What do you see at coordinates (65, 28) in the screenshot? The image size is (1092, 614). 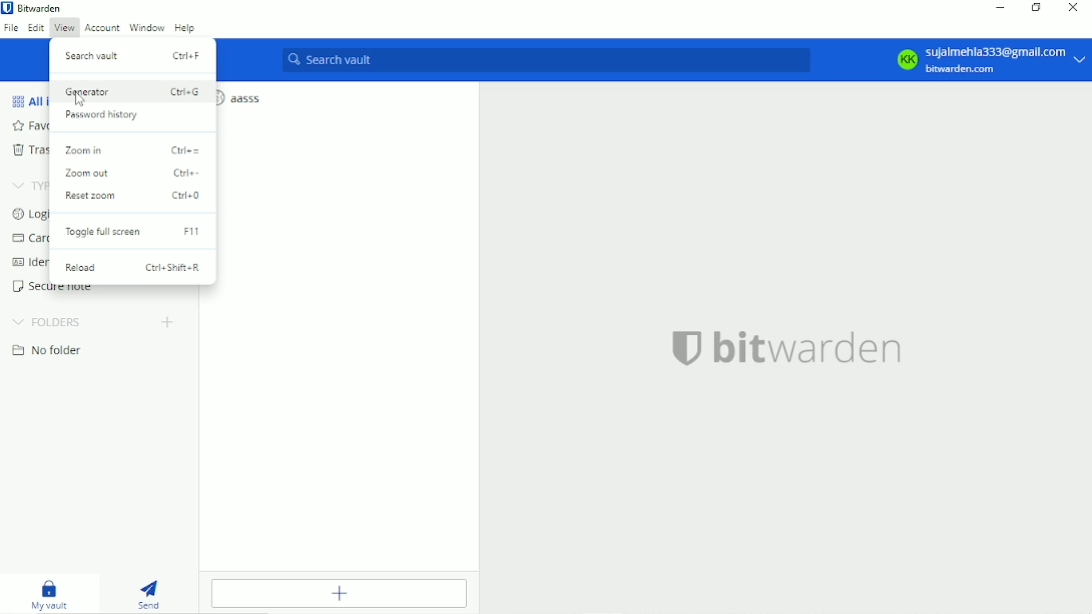 I see `View` at bounding box center [65, 28].